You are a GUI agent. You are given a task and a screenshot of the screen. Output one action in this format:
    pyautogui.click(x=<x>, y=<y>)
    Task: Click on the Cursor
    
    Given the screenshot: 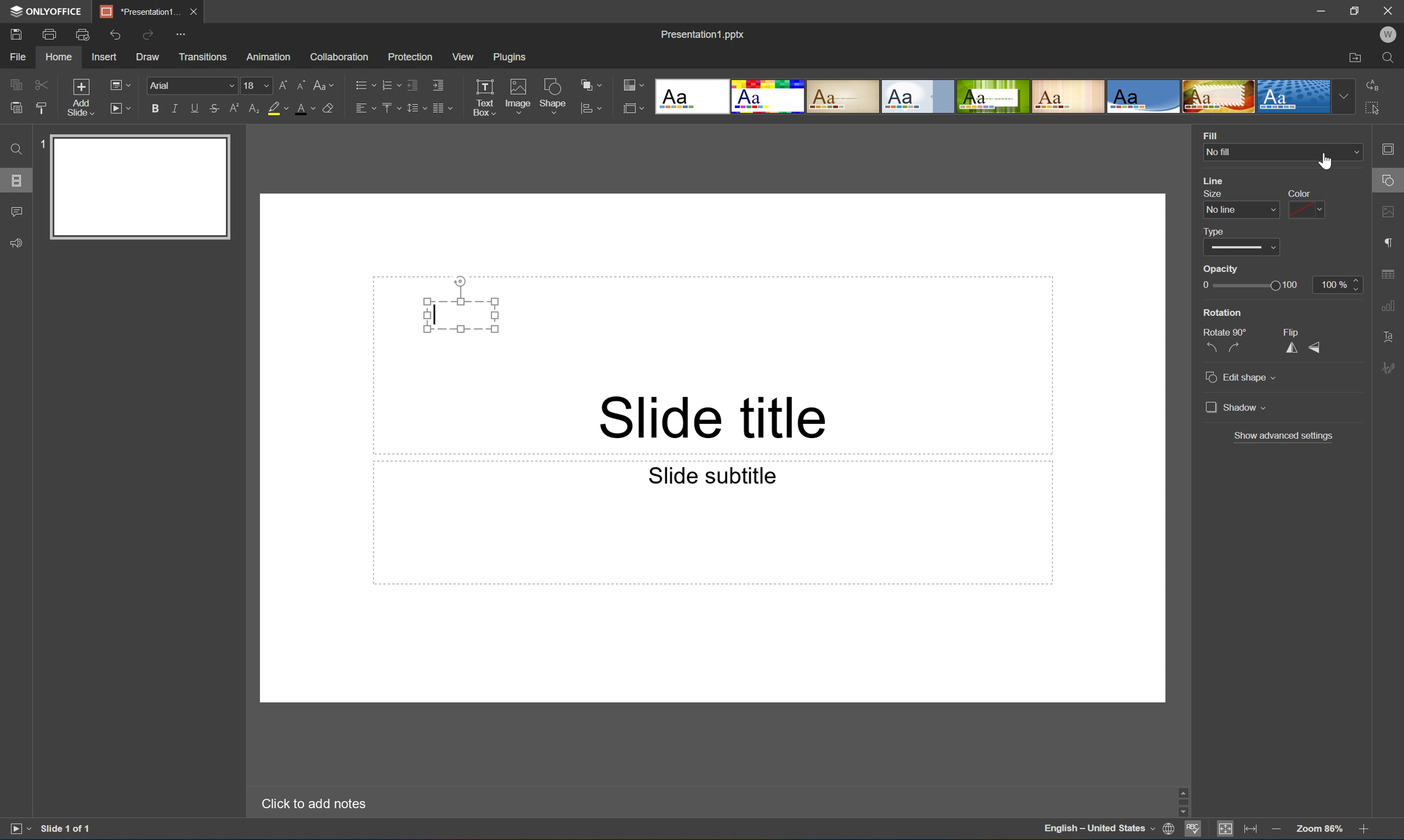 What is the action you would take?
    pyautogui.click(x=1328, y=162)
    